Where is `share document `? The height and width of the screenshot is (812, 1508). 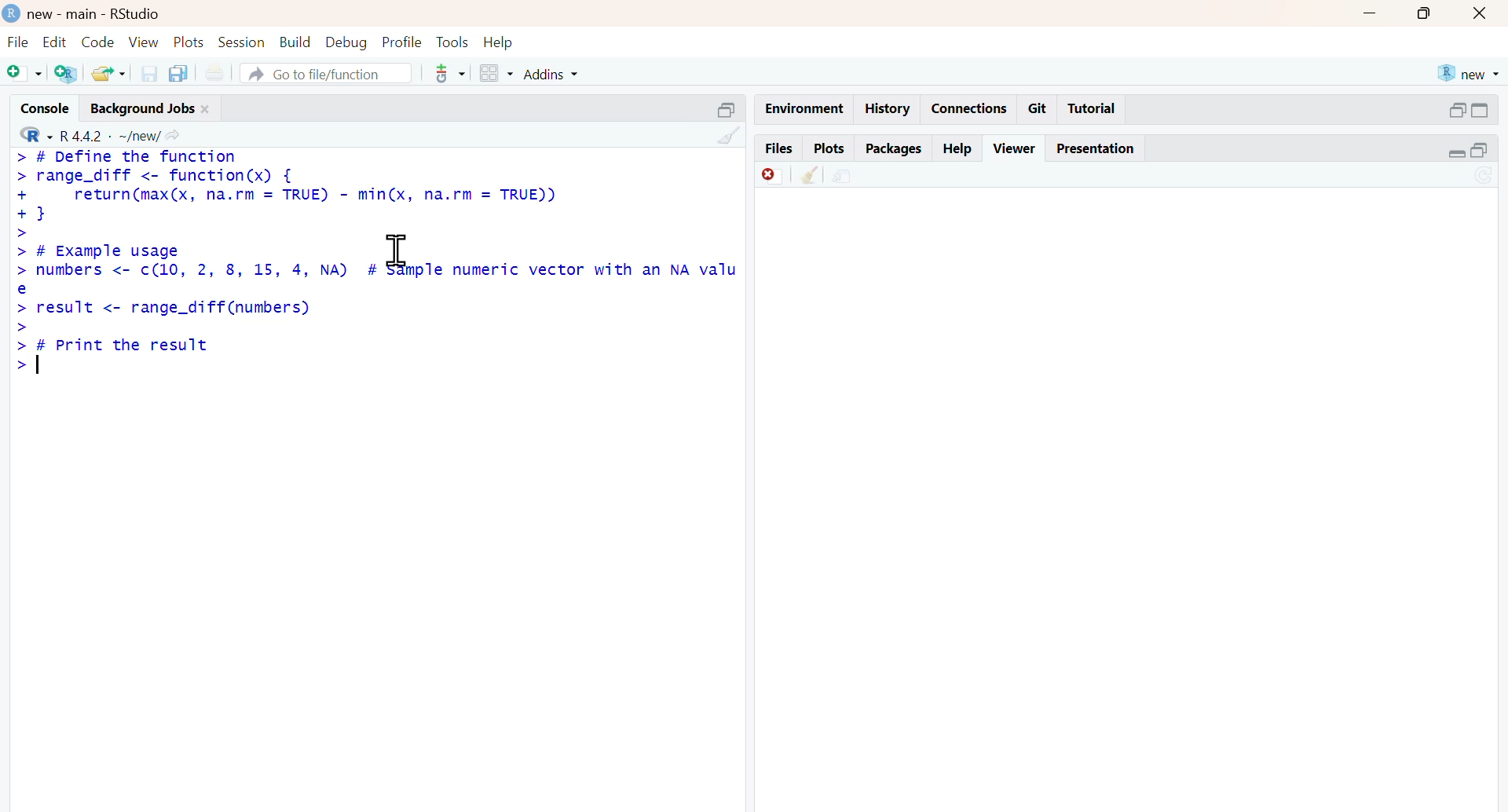
share document  is located at coordinates (842, 177).